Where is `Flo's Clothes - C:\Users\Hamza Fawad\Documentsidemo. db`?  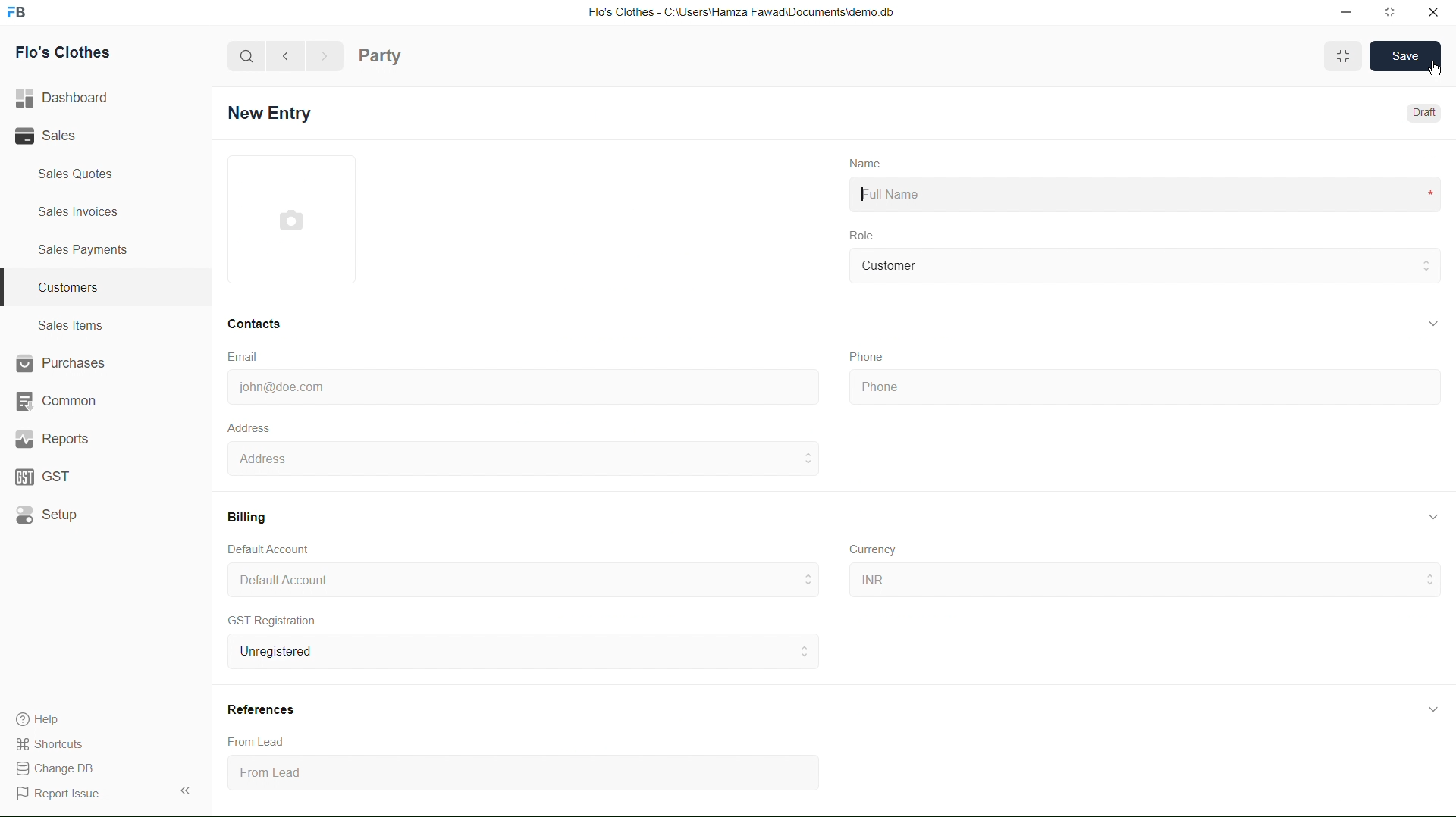 Flo's Clothes - C:\Users\Hamza Fawad\Documentsidemo. db is located at coordinates (739, 11).